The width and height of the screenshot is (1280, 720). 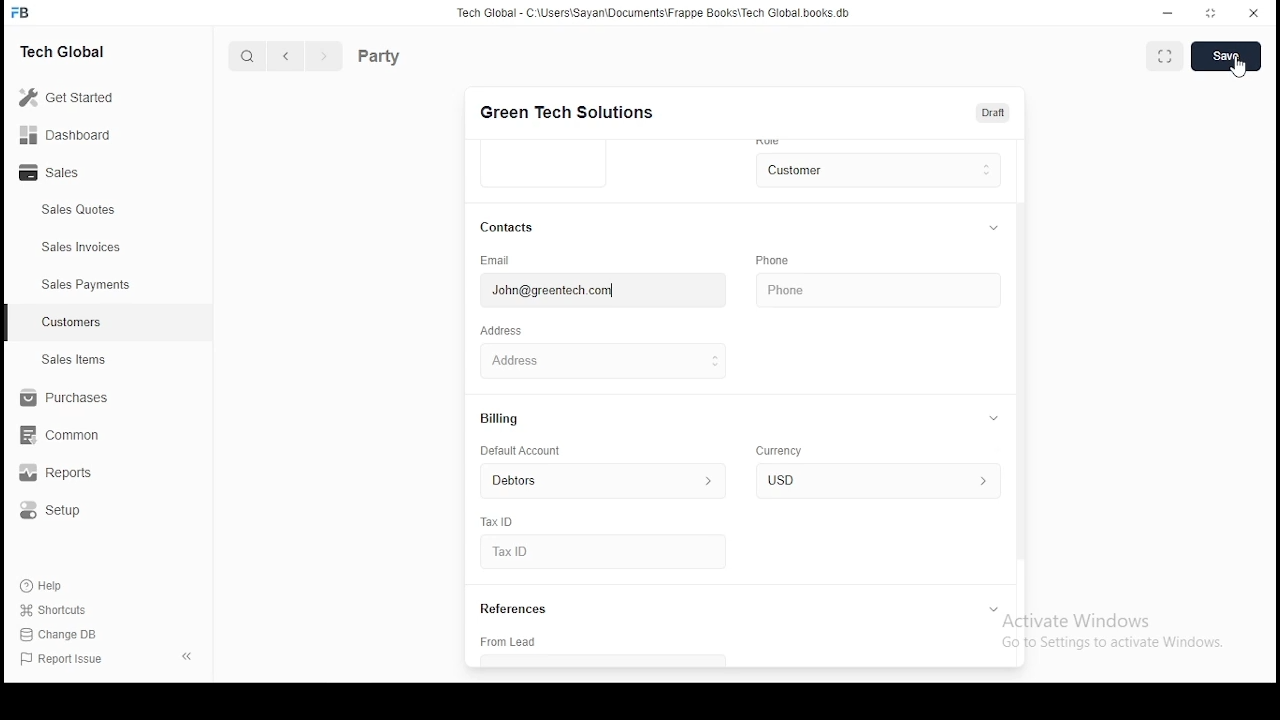 I want to click on close pane, so click(x=189, y=656).